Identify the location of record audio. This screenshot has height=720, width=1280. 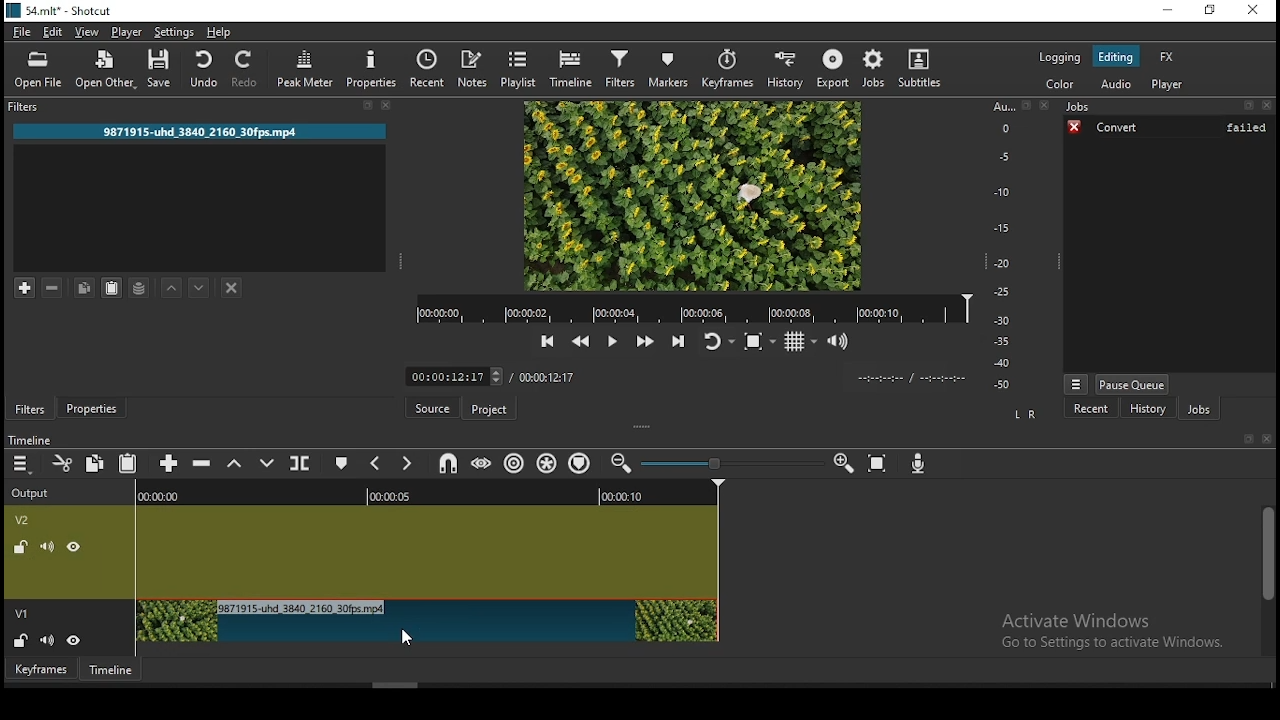
(917, 465).